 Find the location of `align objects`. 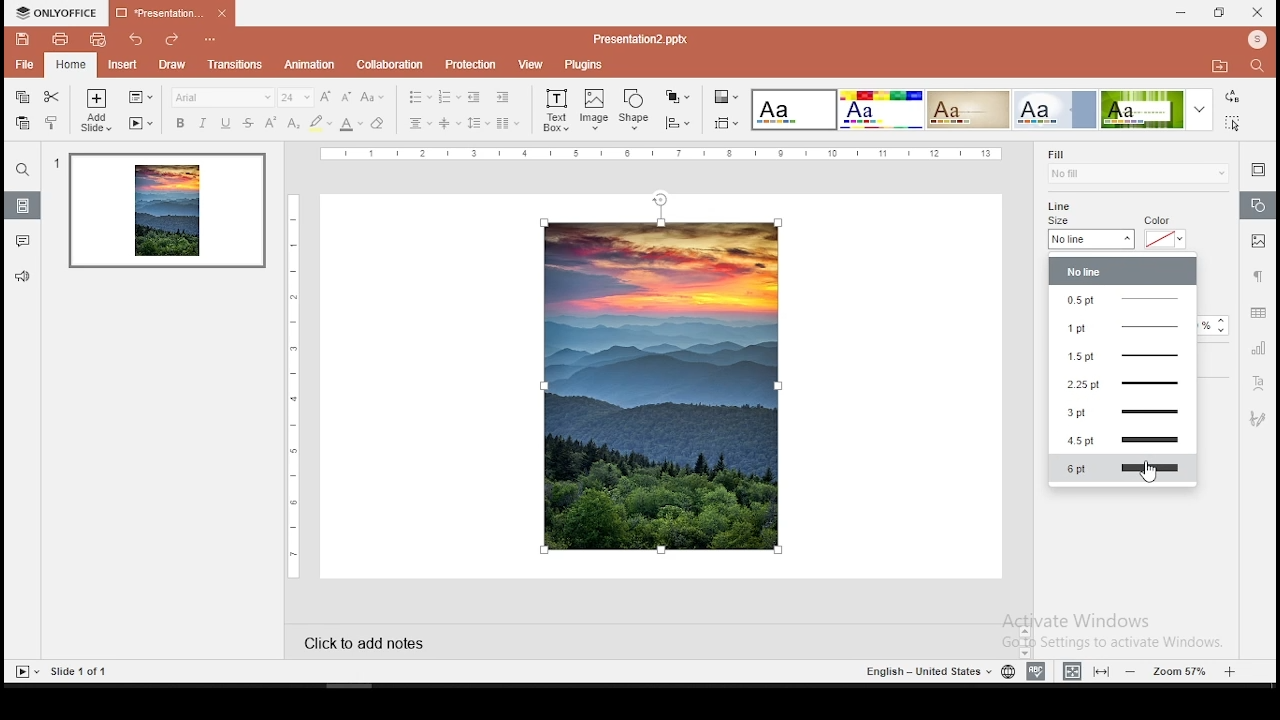

align objects is located at coordinates (677, 122).